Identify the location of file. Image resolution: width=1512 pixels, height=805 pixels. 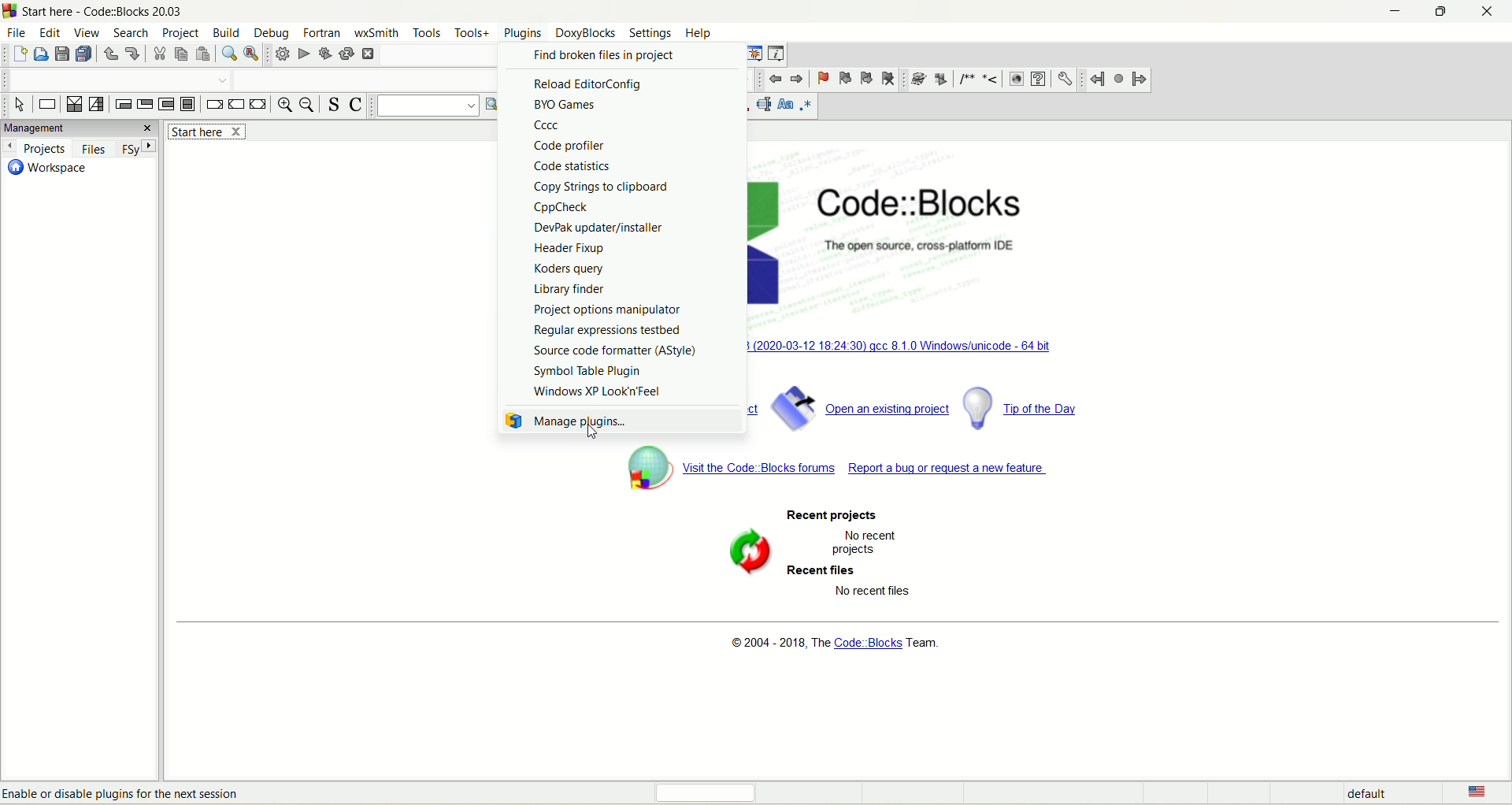
(18, 33).